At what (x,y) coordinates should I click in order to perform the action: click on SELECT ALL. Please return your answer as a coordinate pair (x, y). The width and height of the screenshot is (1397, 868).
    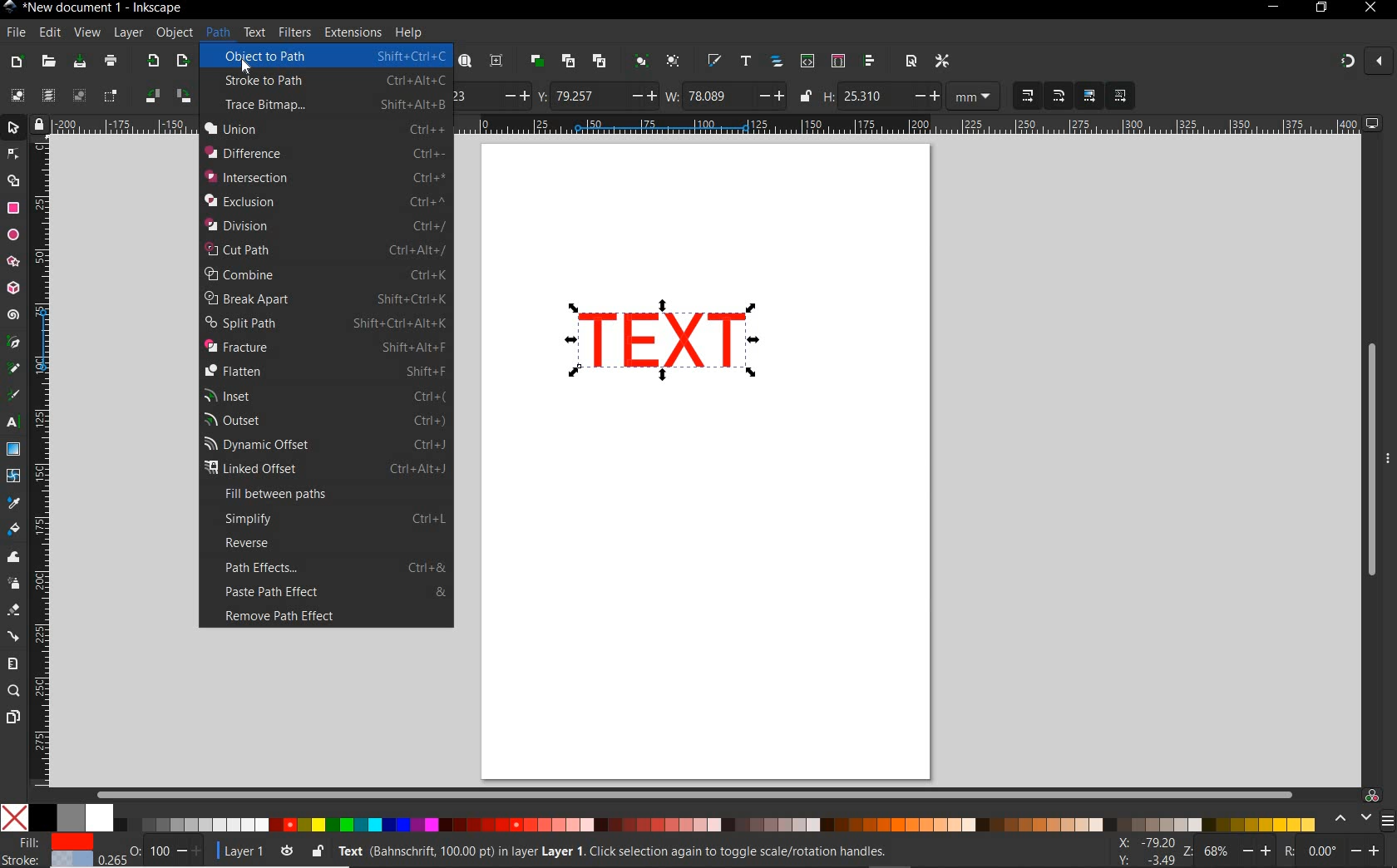
    Looking at the image, I should click on (17, 95).